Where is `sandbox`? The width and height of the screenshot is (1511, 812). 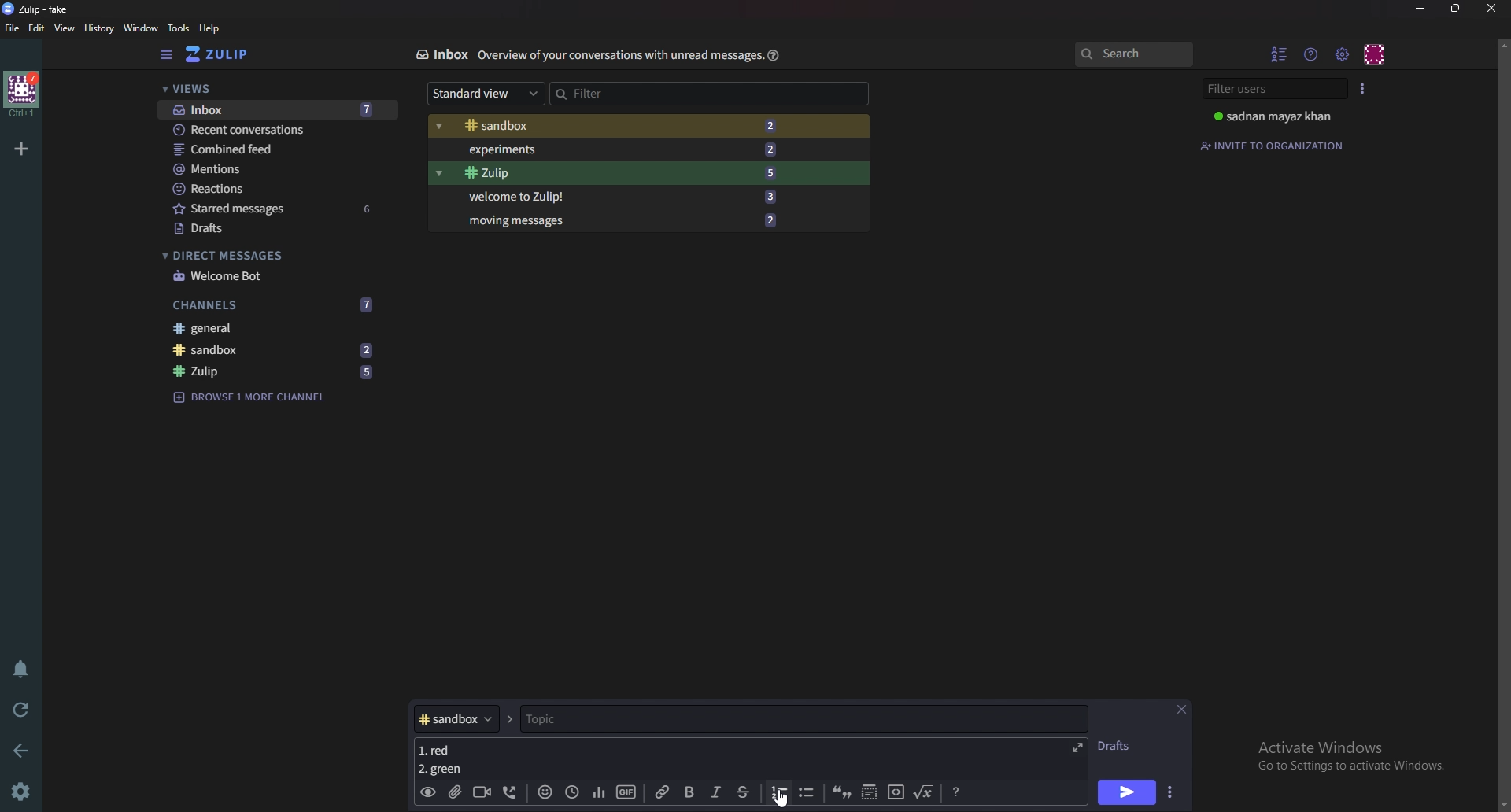 sandbox is located at coordinates (278, 350).